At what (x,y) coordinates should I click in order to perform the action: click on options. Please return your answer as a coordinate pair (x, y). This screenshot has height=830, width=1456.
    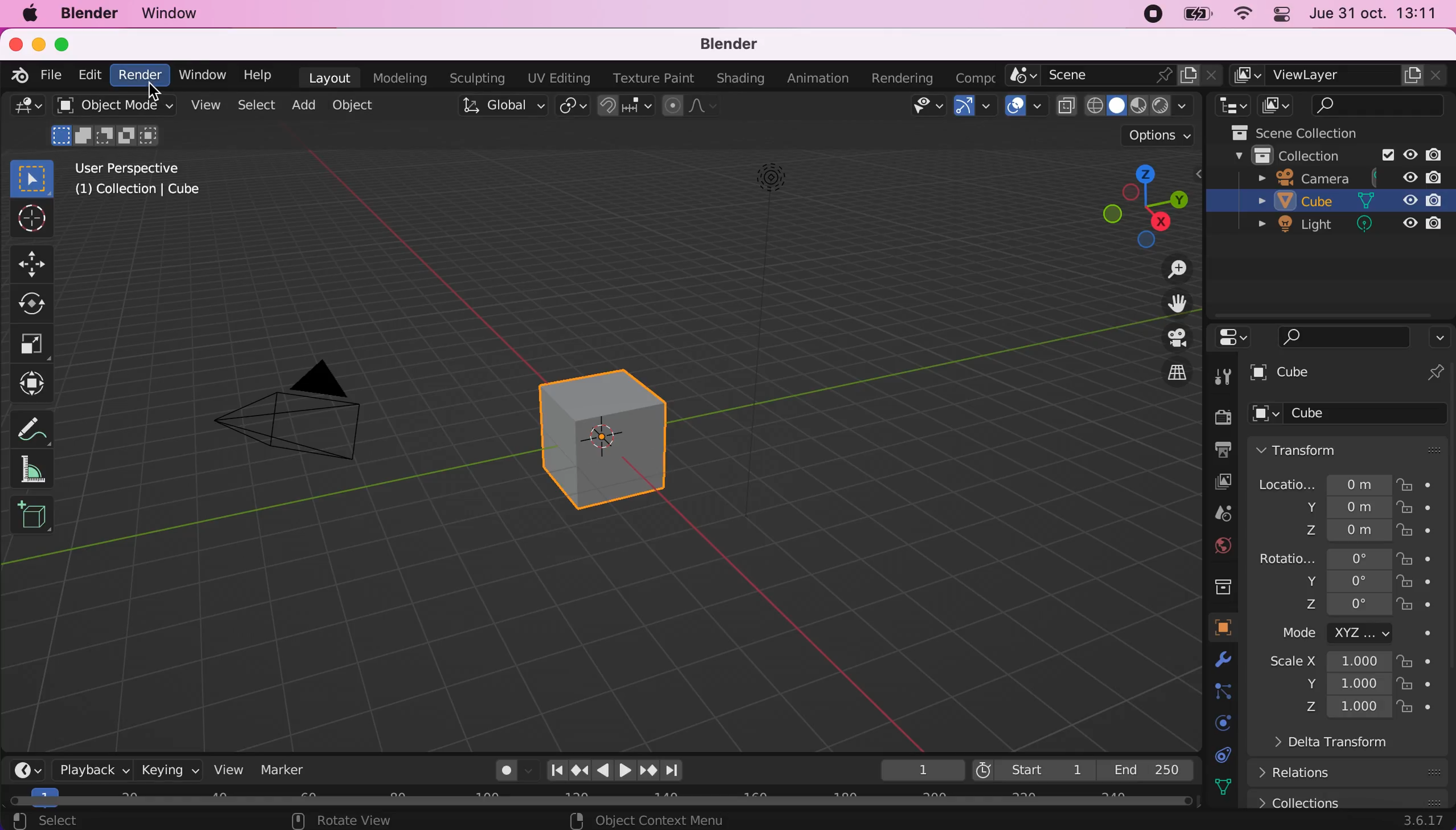
    Looking at the image, I should click on (1439, 337).